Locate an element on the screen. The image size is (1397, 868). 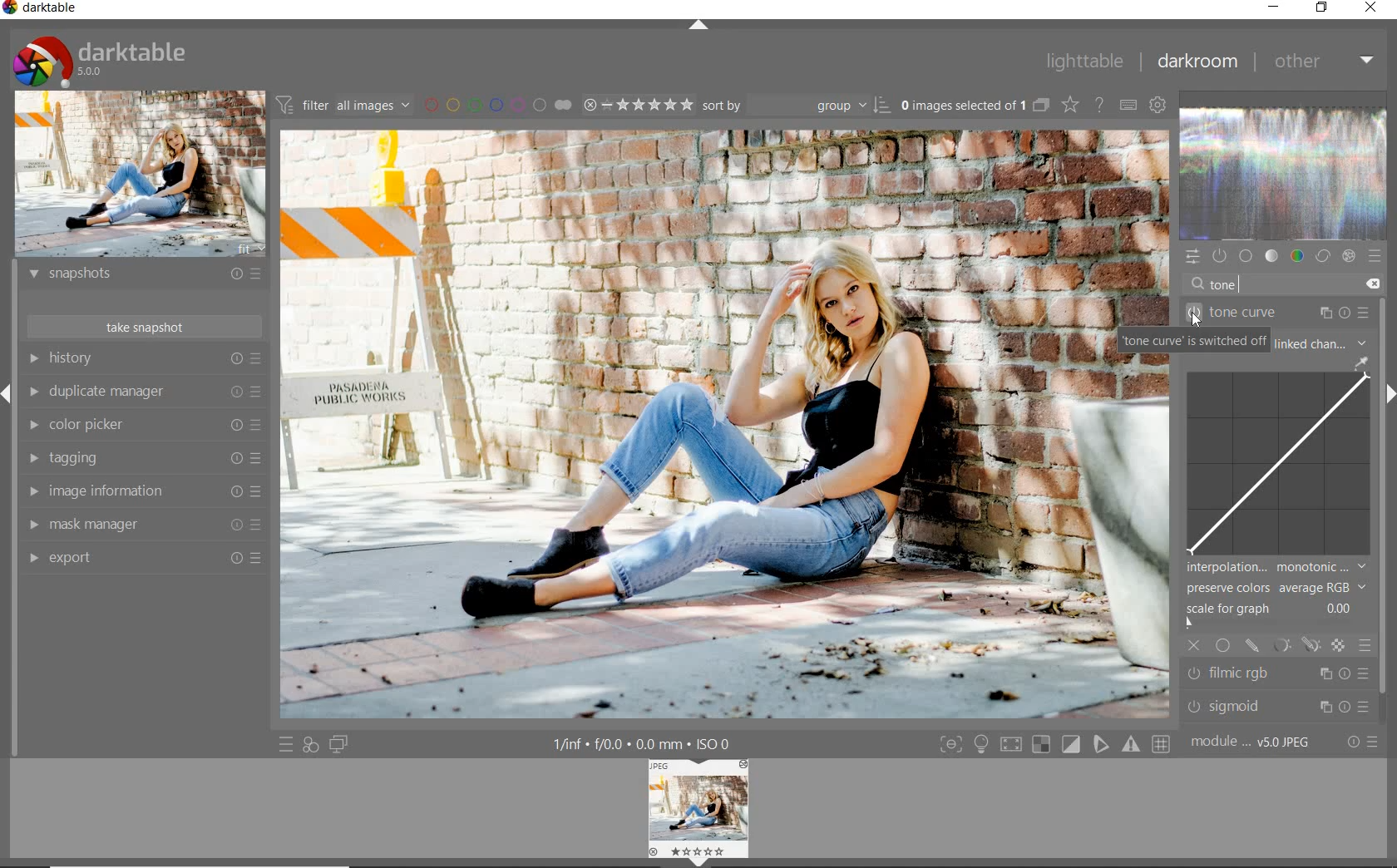
uniformly is located at coordinates (1222, 644).